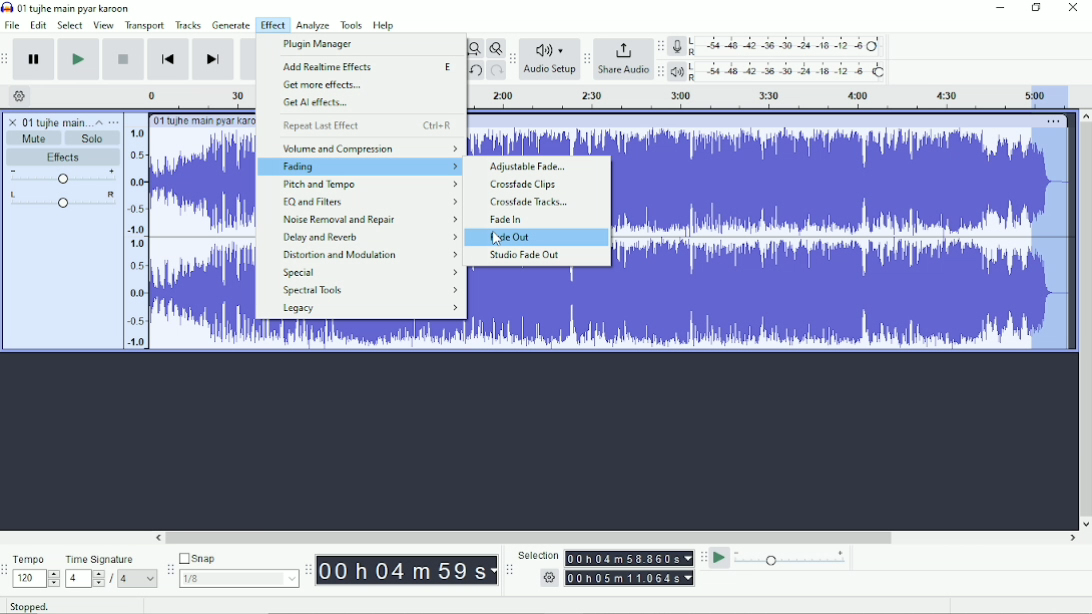  I want to click on amplitude scale, so click(136, 239).